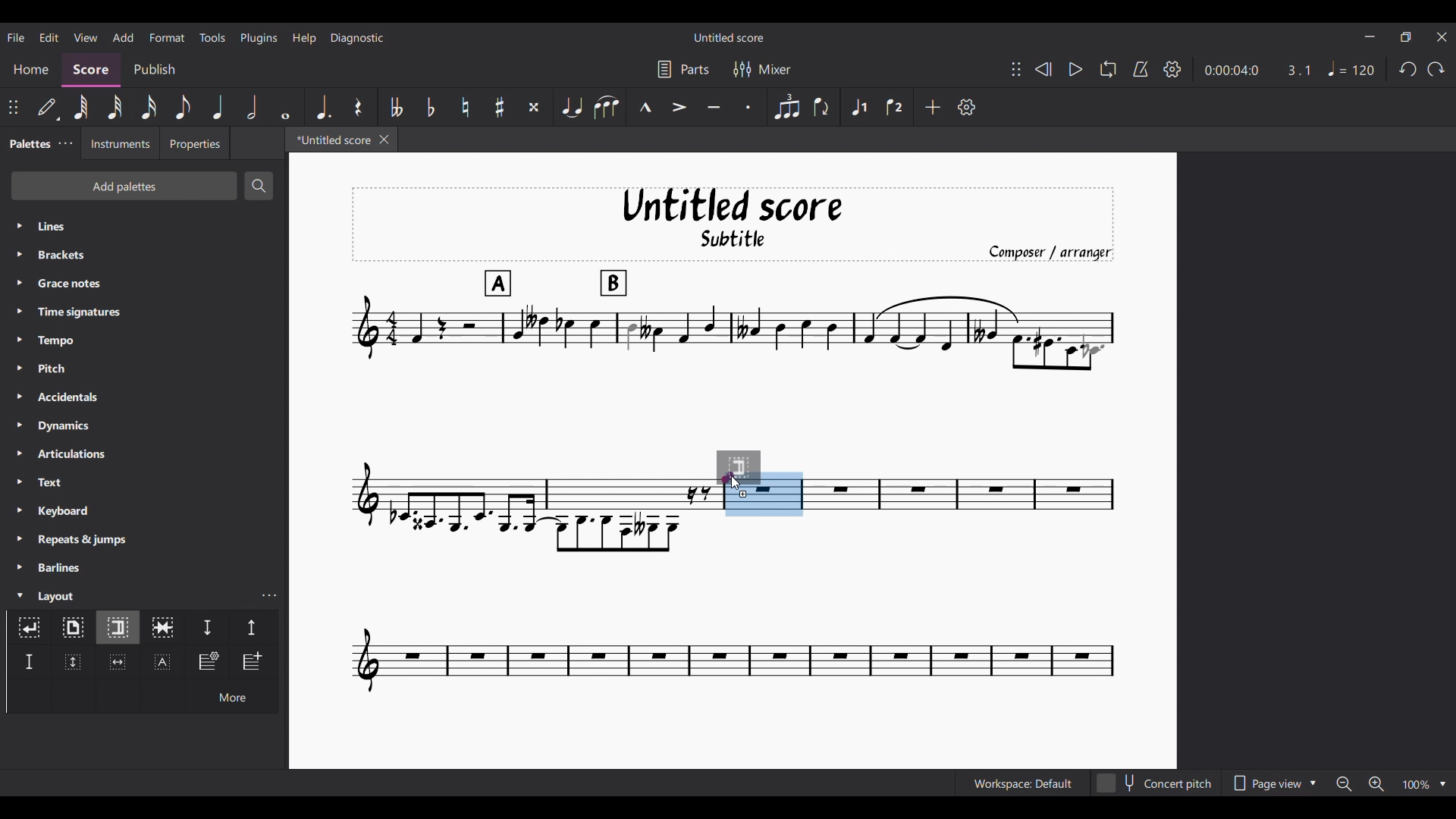 The width and height of the screenshot is (1456, 819). What do you see at coordinates (1172, 69) in the screenshot?
I see `Settings` at bounding box center [1172, 69].